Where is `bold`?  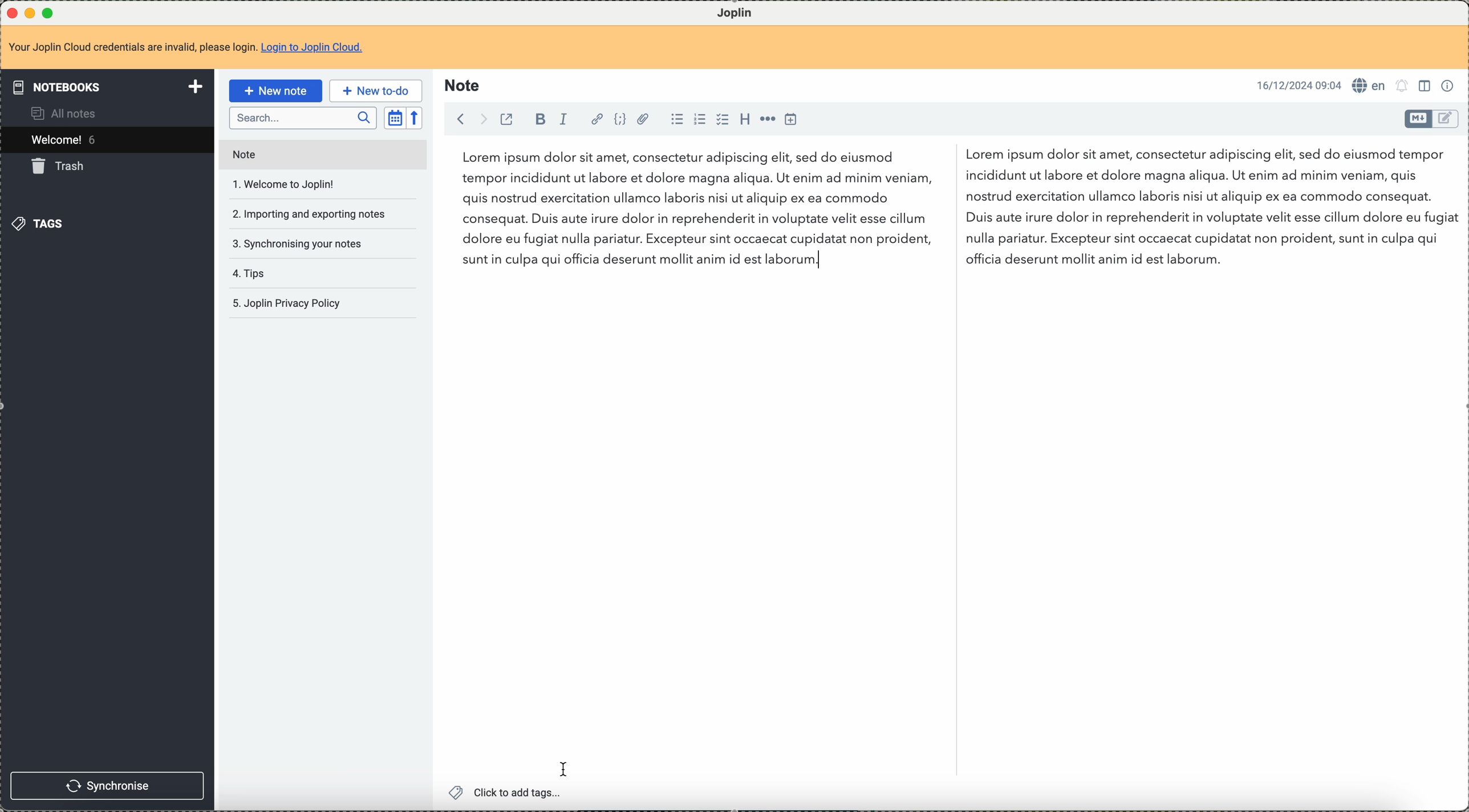
bold is located at coordinates (540, 119).